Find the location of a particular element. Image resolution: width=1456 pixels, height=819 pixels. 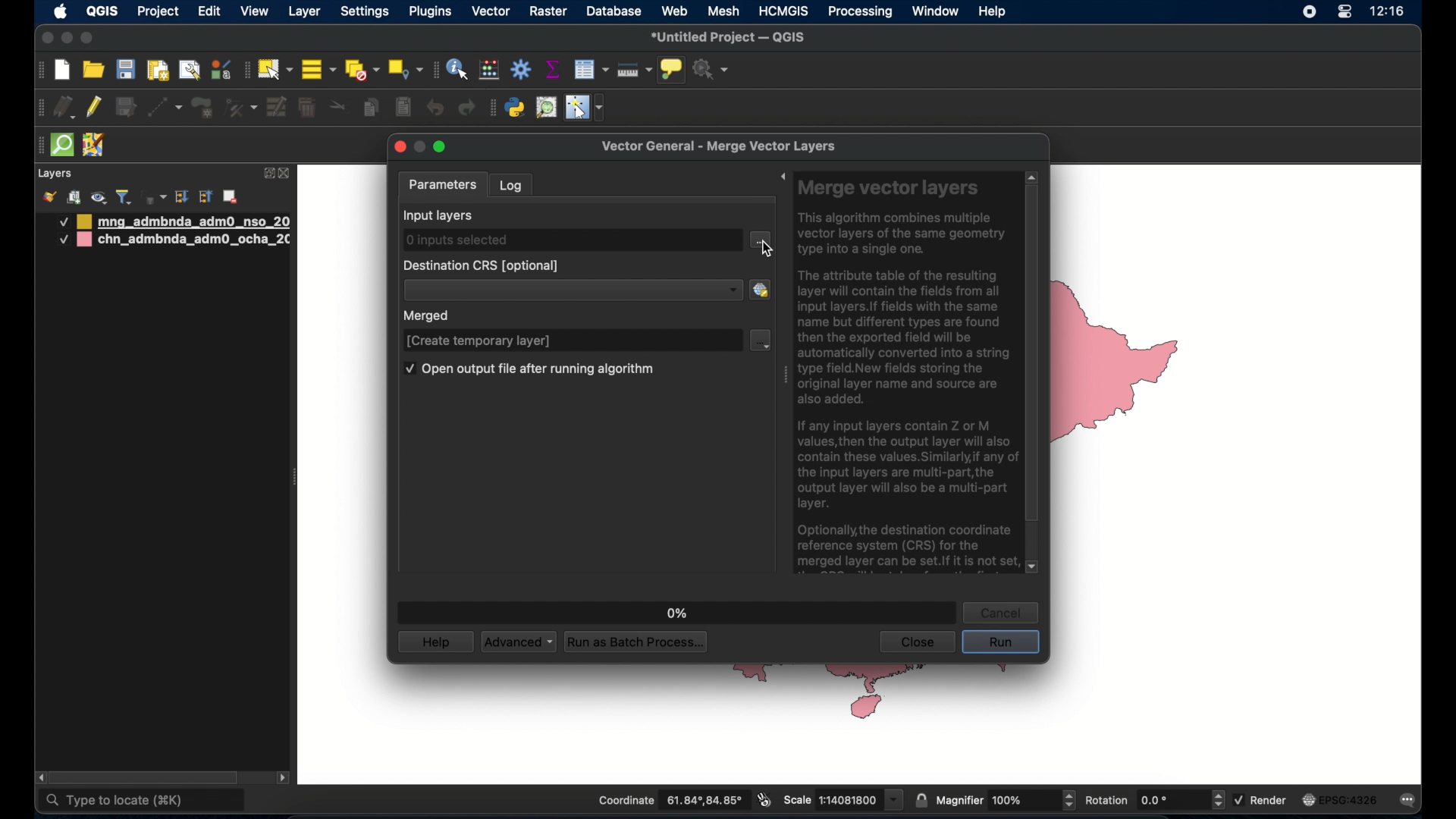

close is located at coordinates (400, 148).